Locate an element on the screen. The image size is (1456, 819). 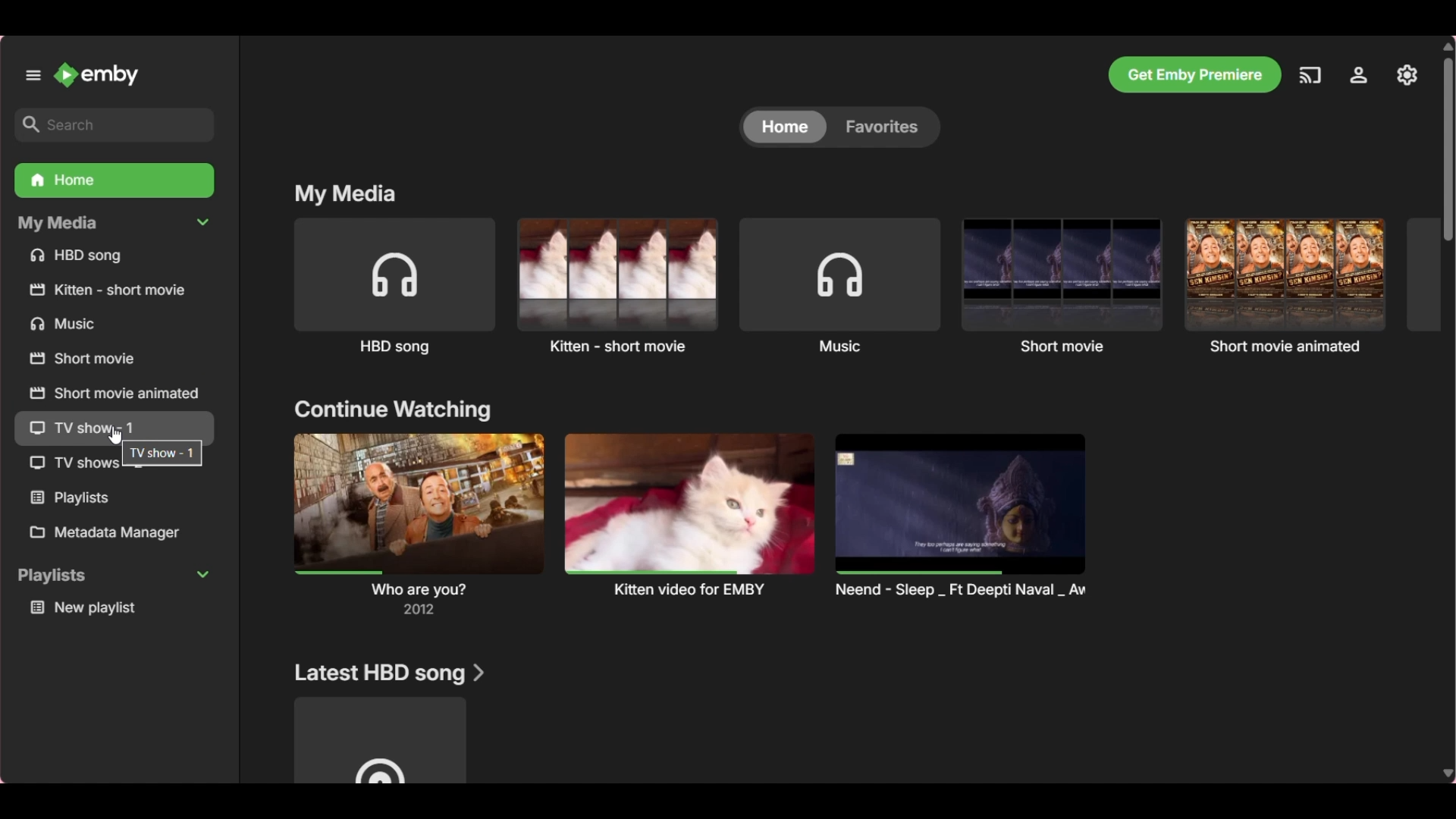
Manage Emby servers is located at coordinates (1407, 75).